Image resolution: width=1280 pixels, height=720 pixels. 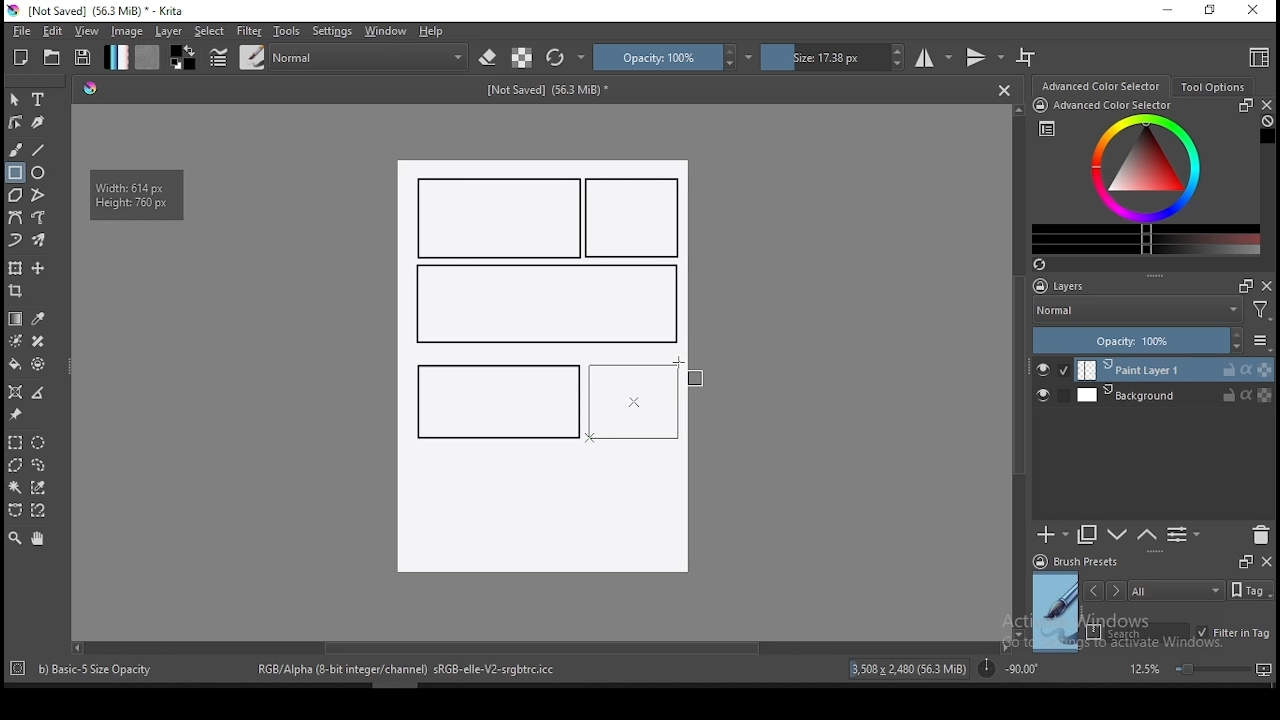 What do you see at coordinates (1266, 560) in the screenshot?
I see `close docker` at bounding box center [1266, 560].